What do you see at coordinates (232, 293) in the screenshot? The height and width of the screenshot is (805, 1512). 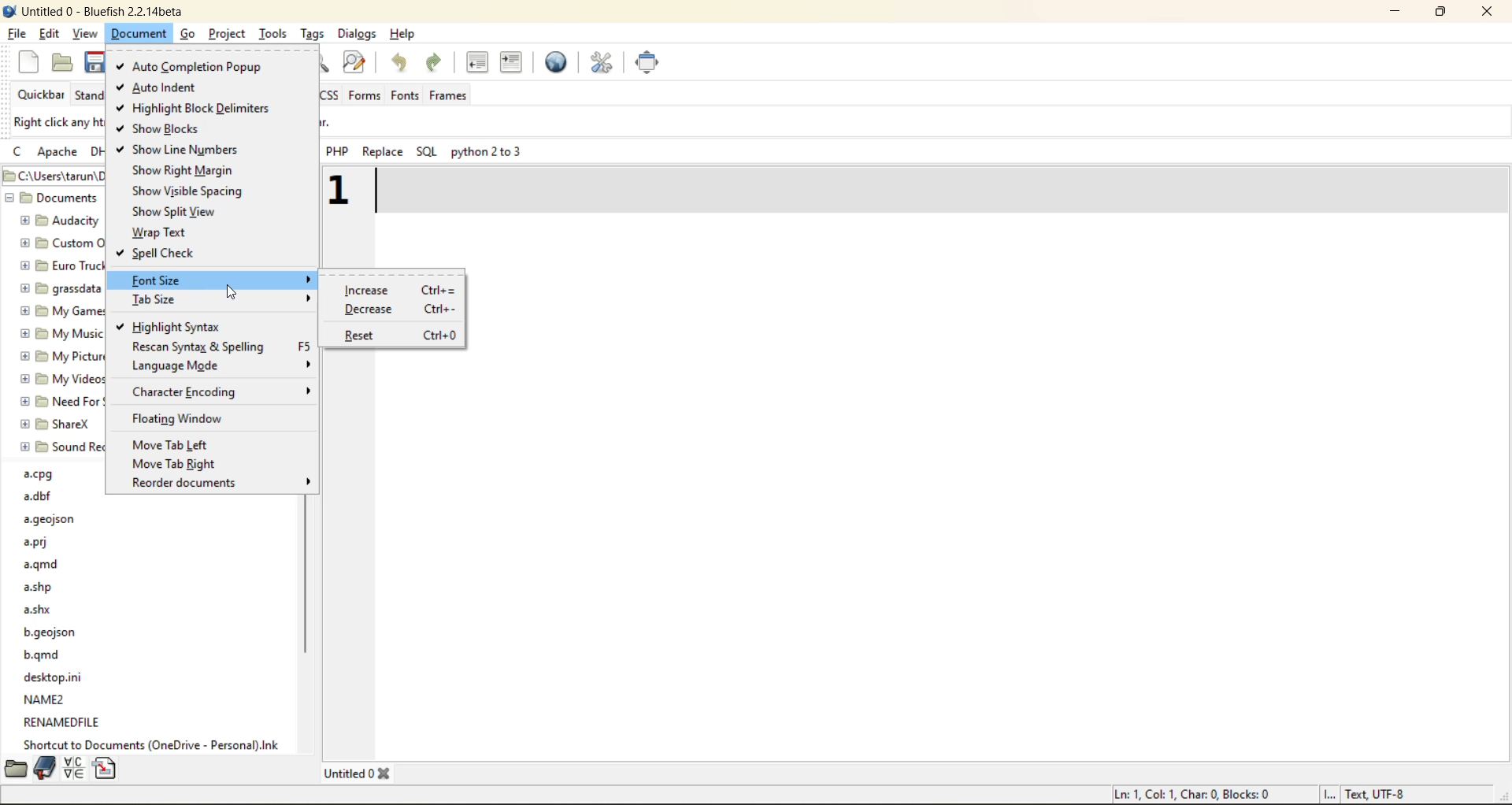 I see `cursor` at bounding box center [232, 293].